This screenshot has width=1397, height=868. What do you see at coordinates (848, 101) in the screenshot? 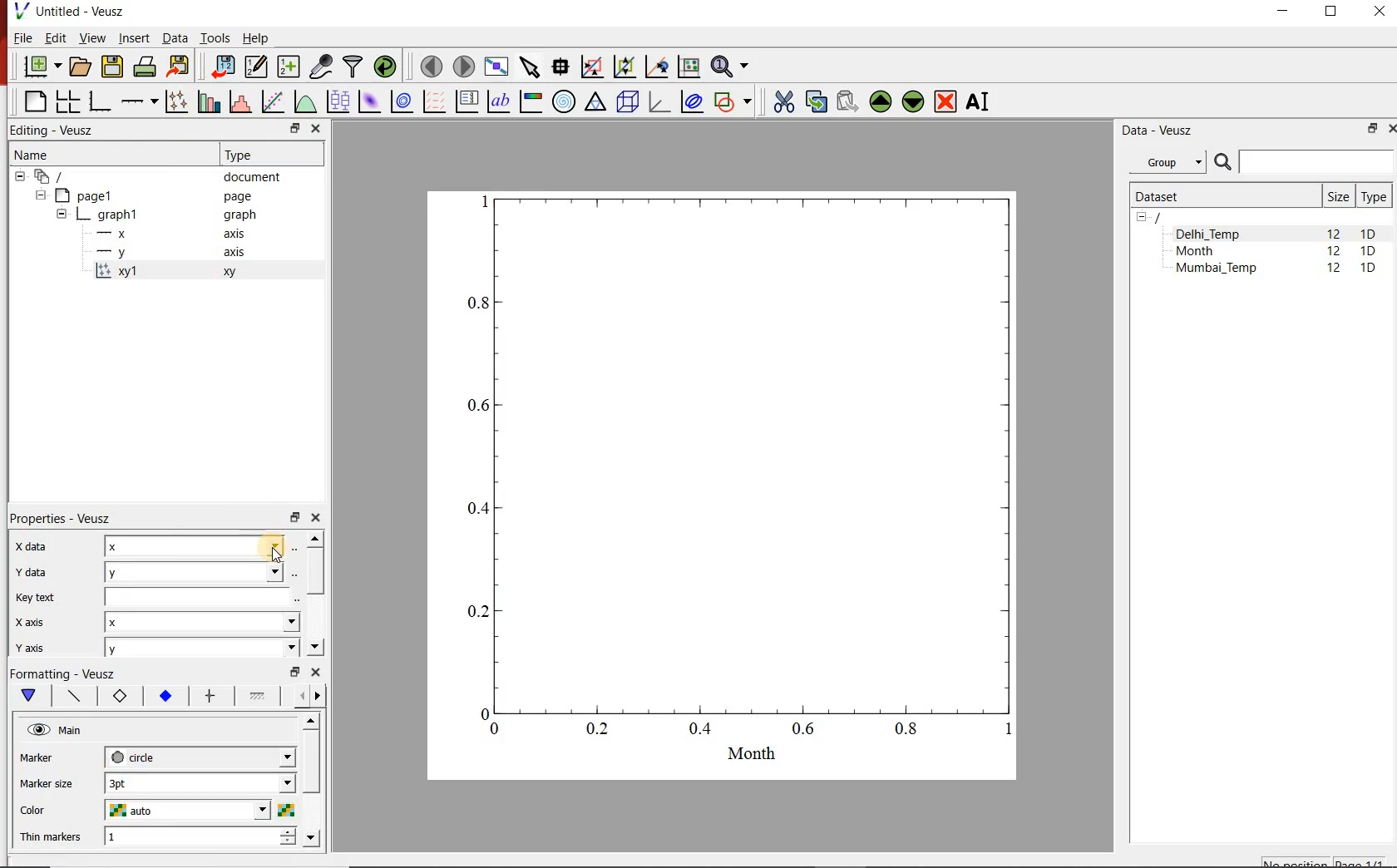
I see `paste widget from the clipboard` at bounding box center [848, 101].